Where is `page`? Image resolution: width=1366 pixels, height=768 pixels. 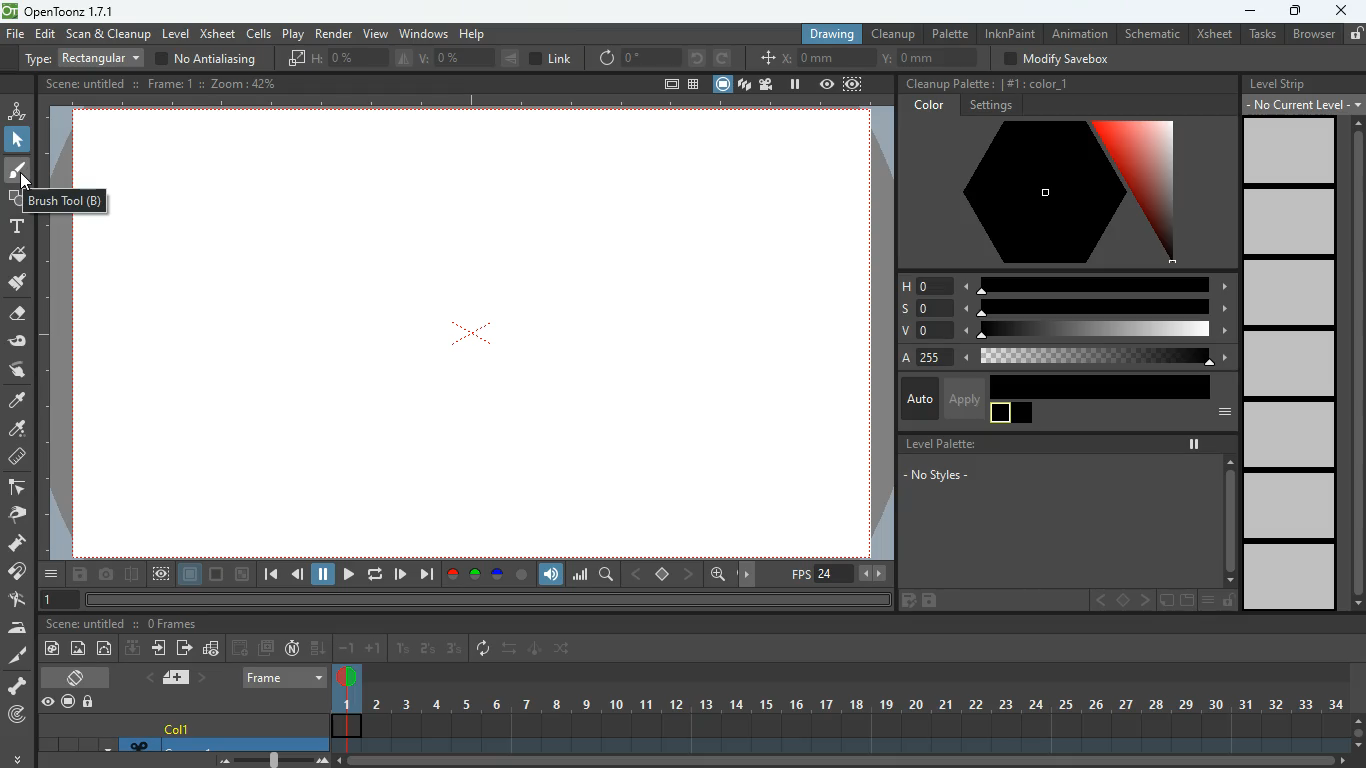 page is located at coordinates (191, 575).